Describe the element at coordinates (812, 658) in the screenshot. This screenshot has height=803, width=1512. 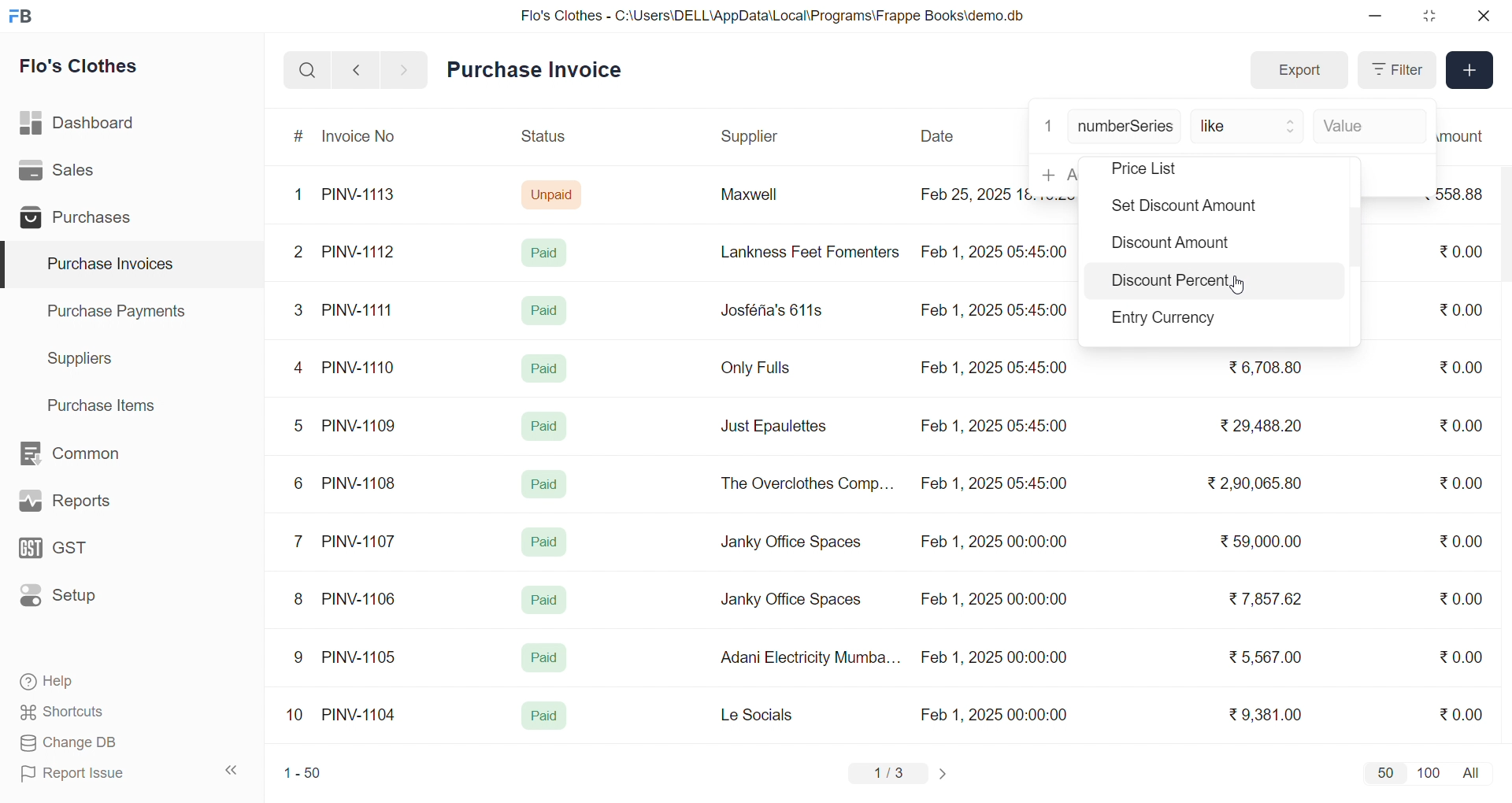
I see `Adani Electricity Mumba...` at that location.